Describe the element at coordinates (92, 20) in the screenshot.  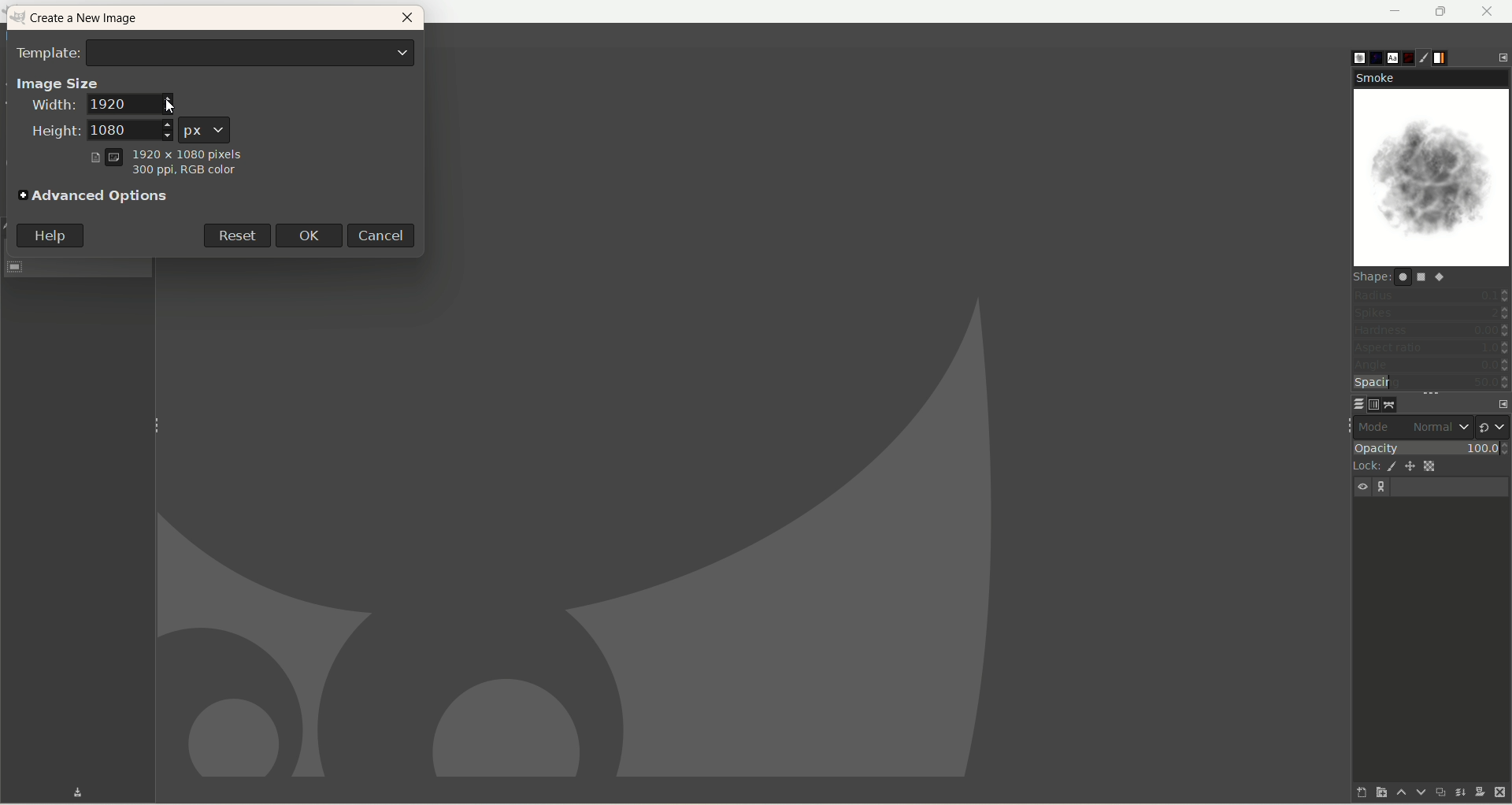
I see `create a new image` at that location.